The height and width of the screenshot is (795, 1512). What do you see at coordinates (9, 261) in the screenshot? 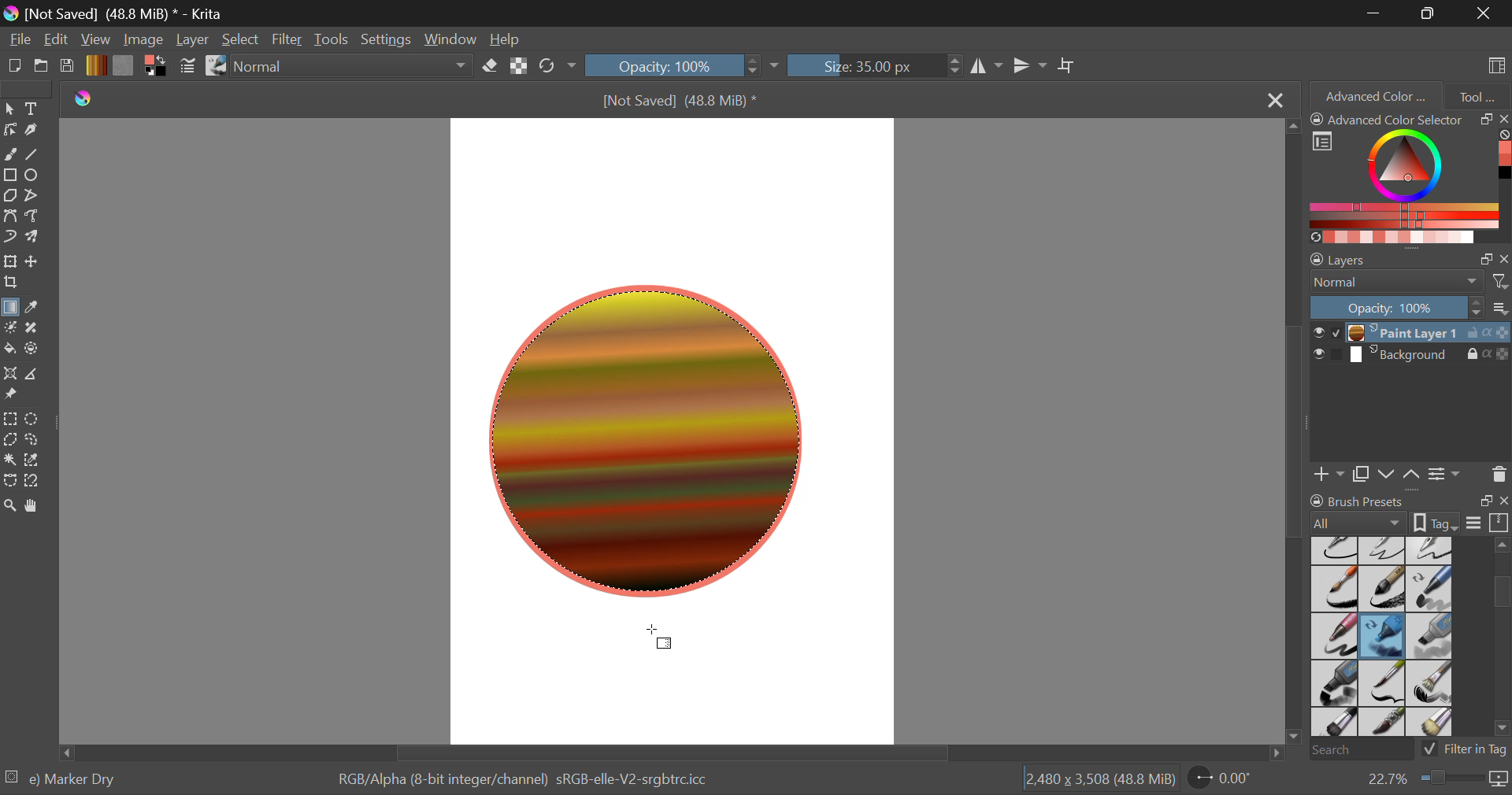
I see `Transform a layer` at bounding box center [9, 261].